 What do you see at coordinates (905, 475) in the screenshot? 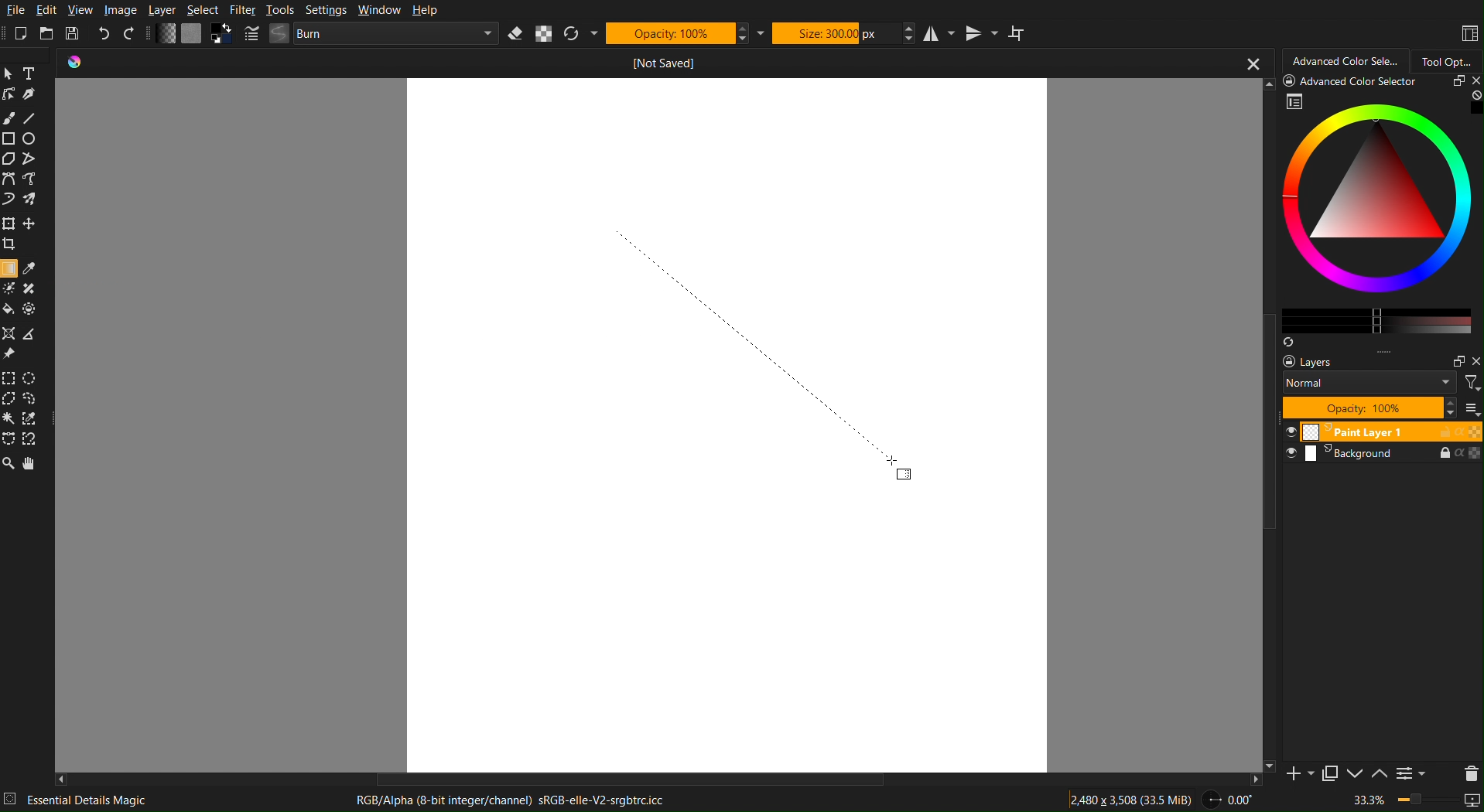
I see `Gradient` at bounding box center [905, 475].